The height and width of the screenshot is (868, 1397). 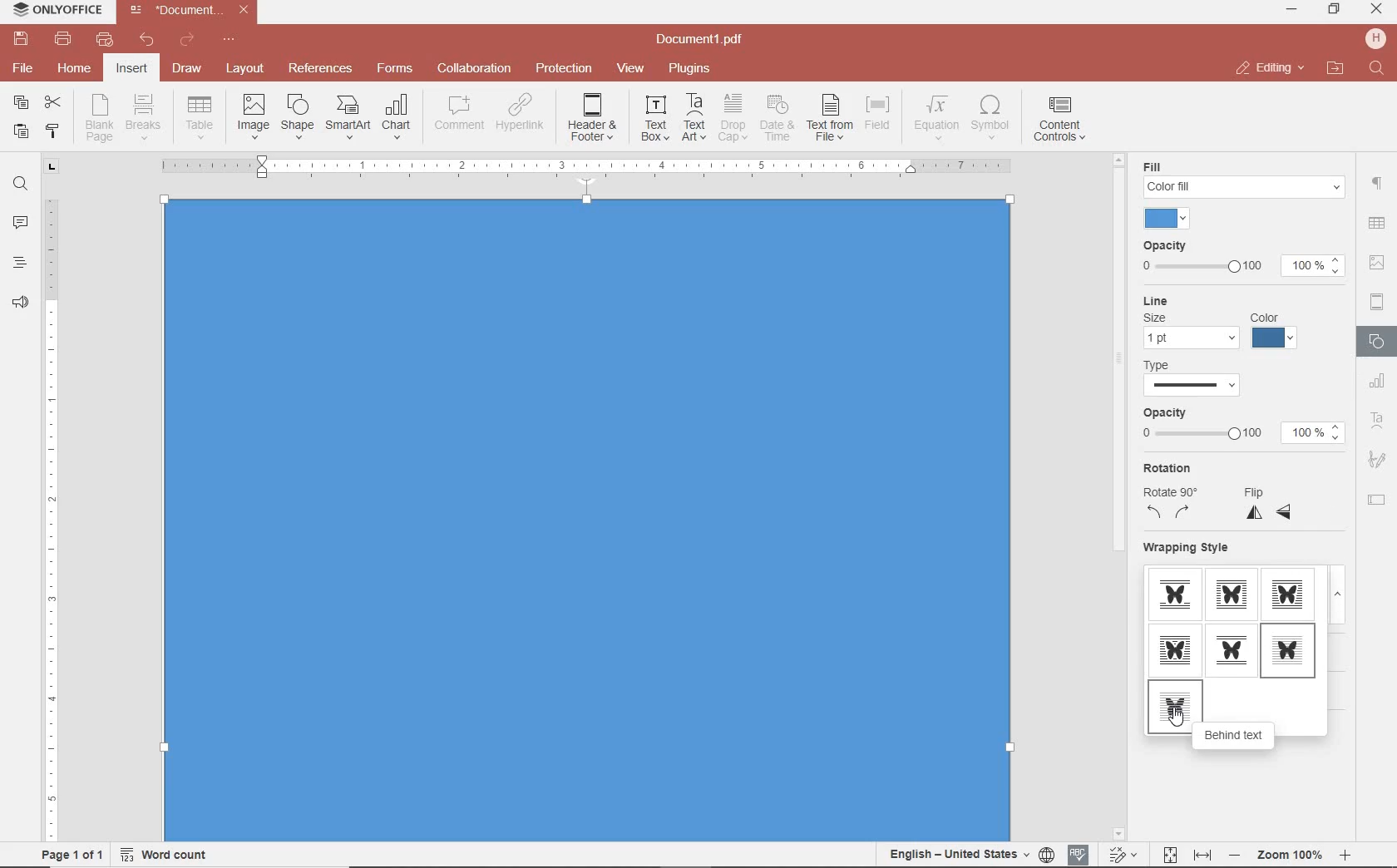 What do you see at coordinates (24, 68) in the screenshot?
I see `file` at bounding box center [24, 68].